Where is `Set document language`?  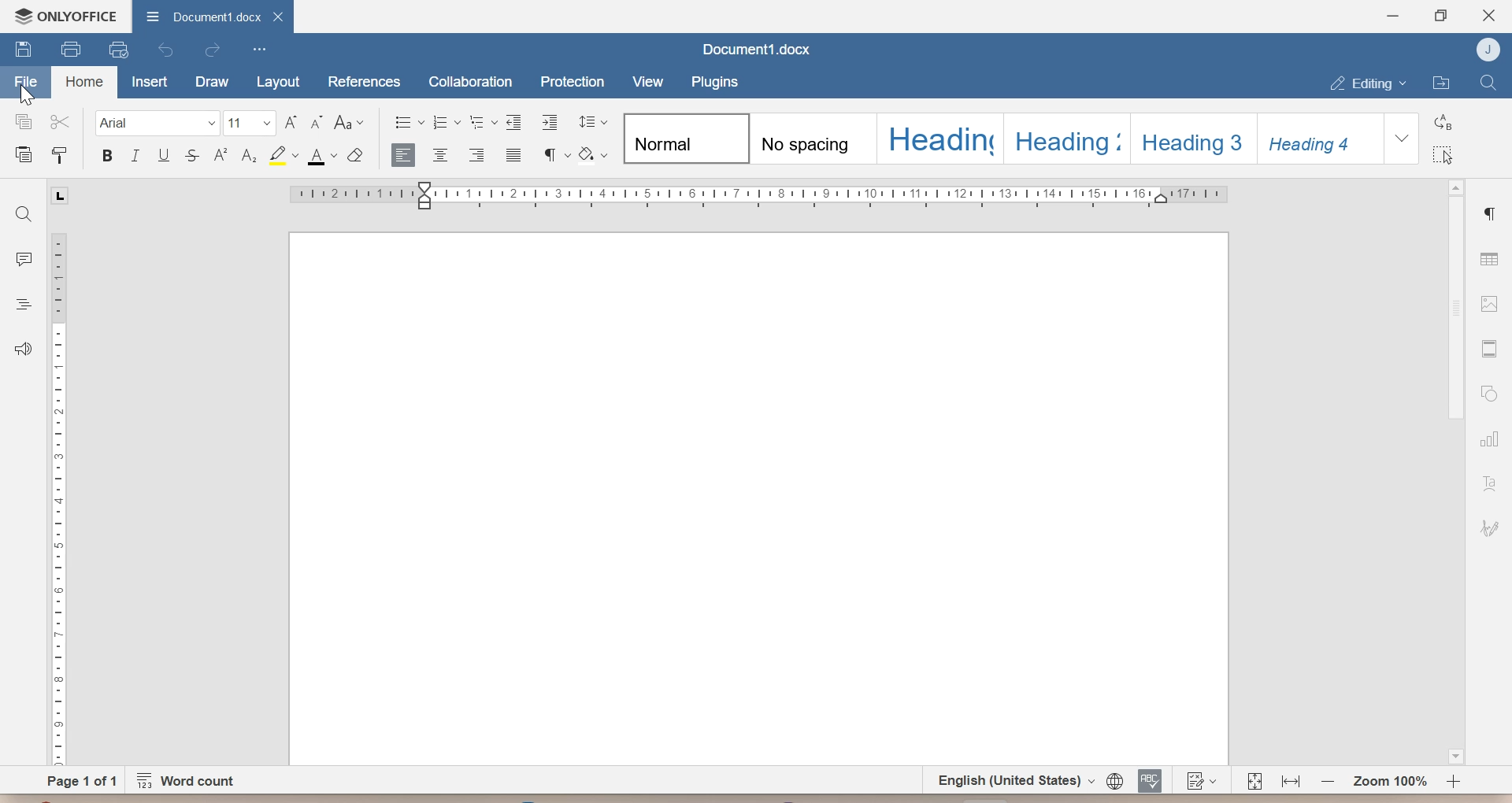
Set document language is located at coordinates (1114, 779).